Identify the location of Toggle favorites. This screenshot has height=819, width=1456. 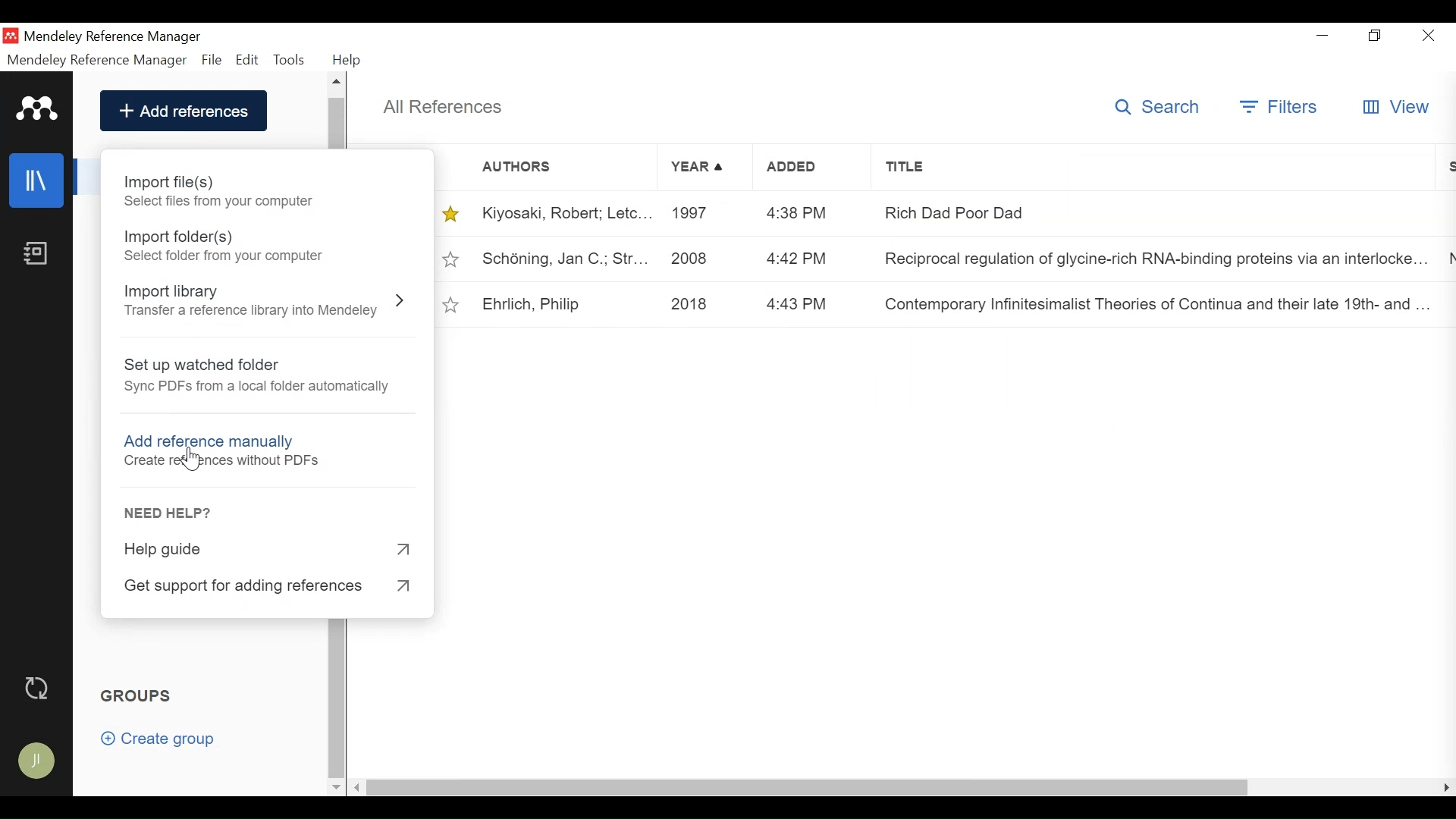
(453, 260).